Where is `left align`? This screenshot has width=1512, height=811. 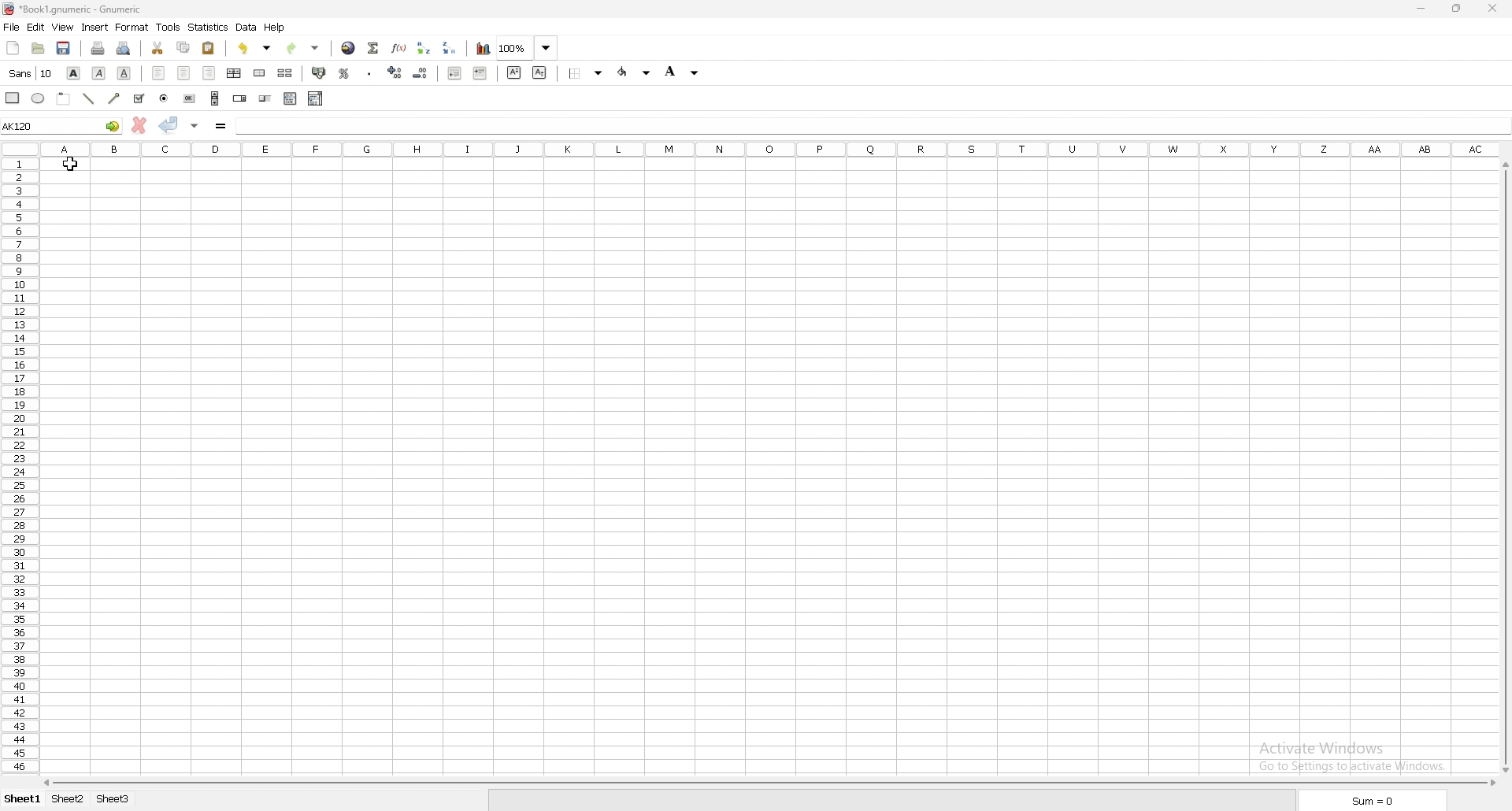
left align is located at coordinates (158, 73).